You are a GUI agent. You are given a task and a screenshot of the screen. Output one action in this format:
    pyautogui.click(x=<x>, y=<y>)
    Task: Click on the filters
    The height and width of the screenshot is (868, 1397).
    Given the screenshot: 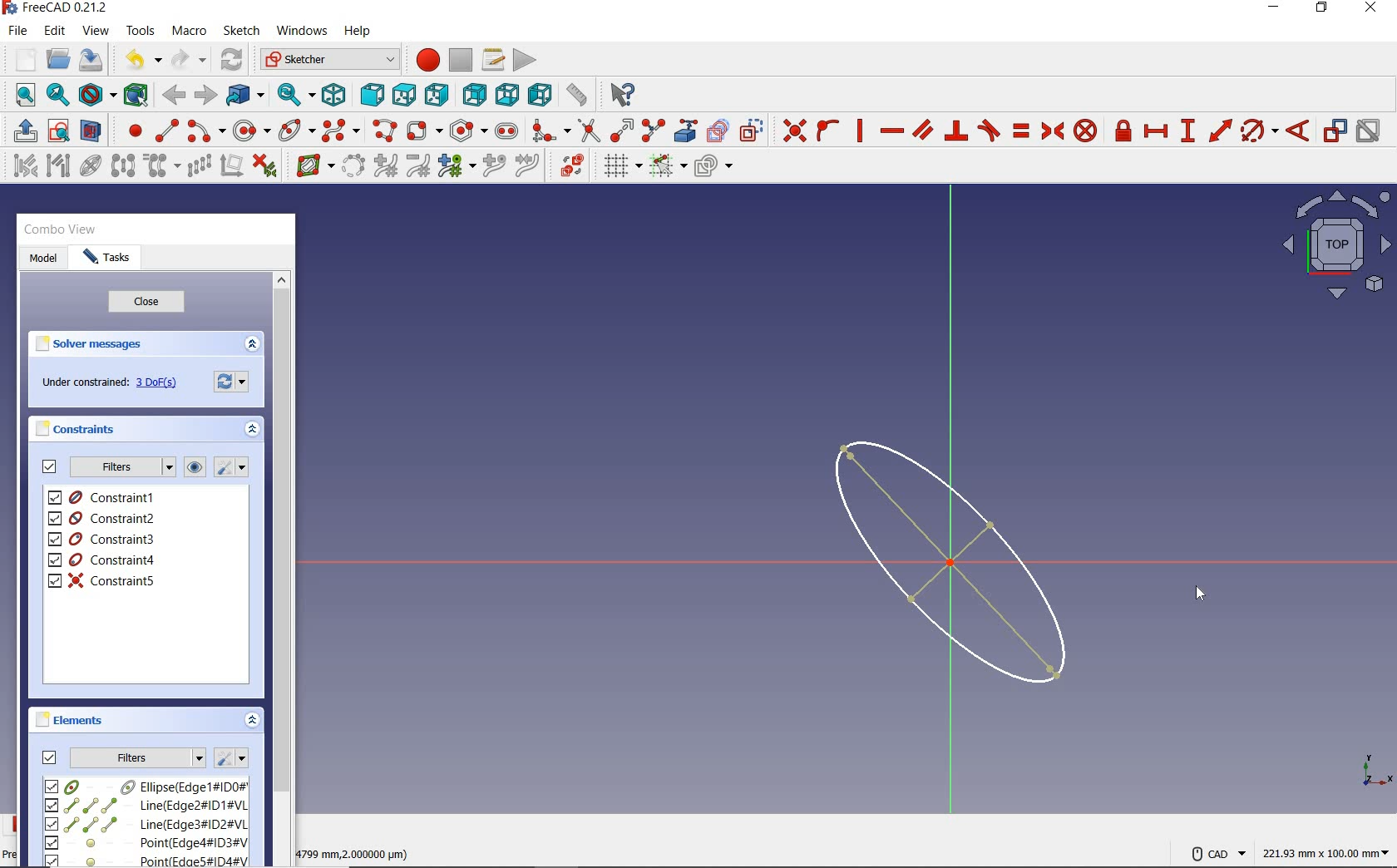 What is the action you would take?
    pyautogui.click(x=121, y=467)
    